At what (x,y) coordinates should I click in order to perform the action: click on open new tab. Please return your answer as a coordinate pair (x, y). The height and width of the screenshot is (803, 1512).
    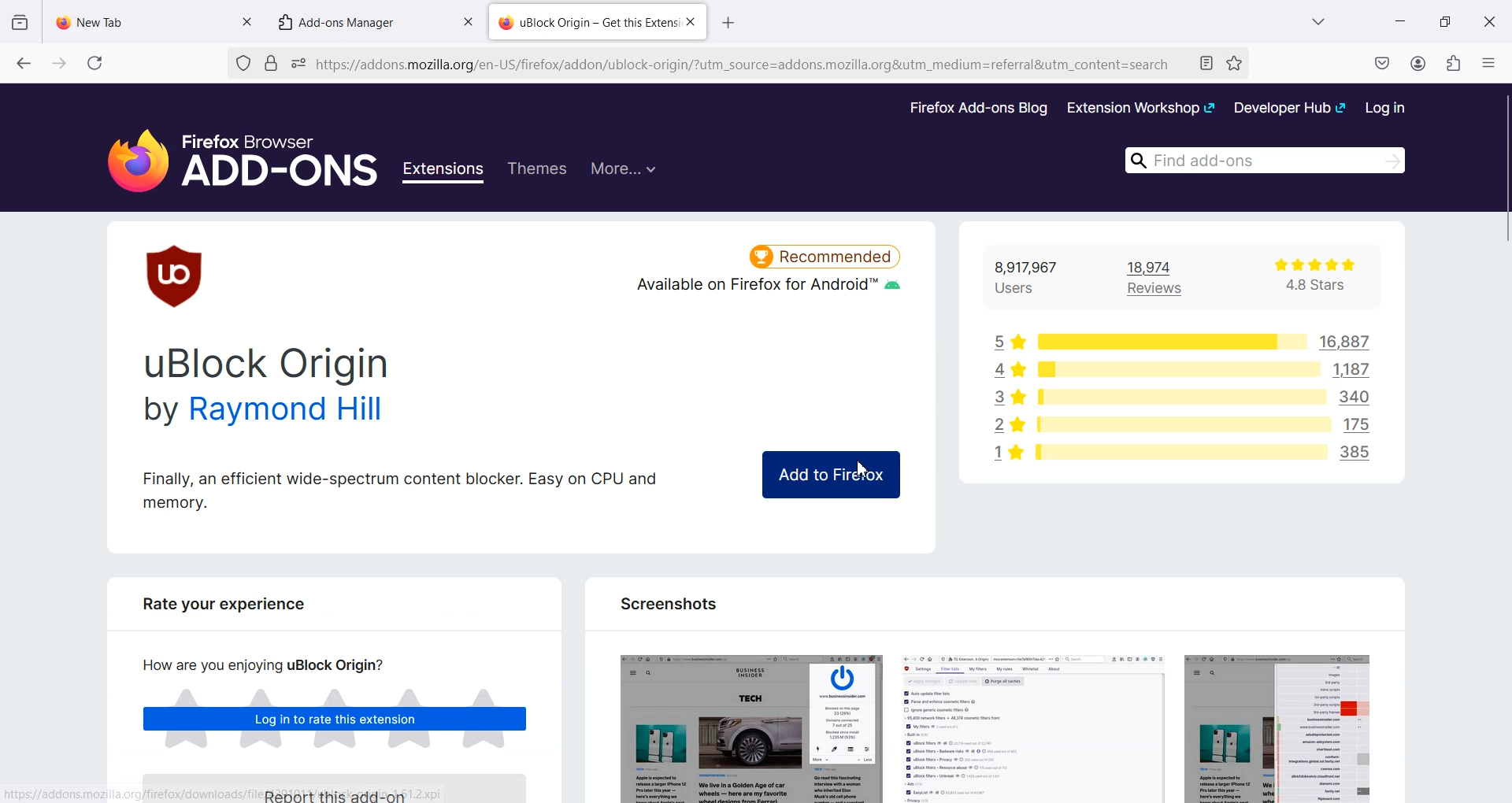
    Looking at the image, I should click on (732, 20).